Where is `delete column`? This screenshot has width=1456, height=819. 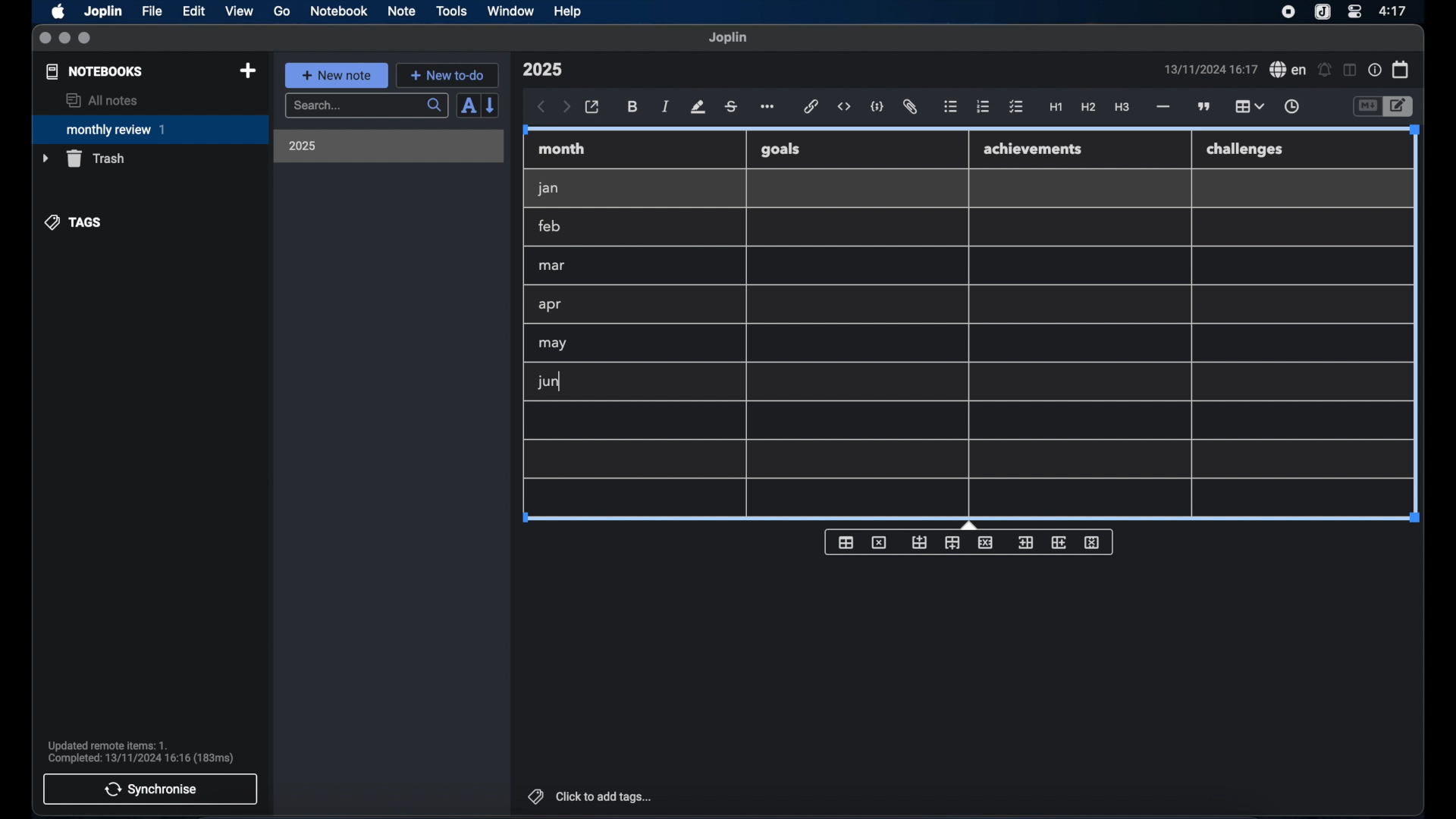 delete column is located at coordinates (1093, 543).